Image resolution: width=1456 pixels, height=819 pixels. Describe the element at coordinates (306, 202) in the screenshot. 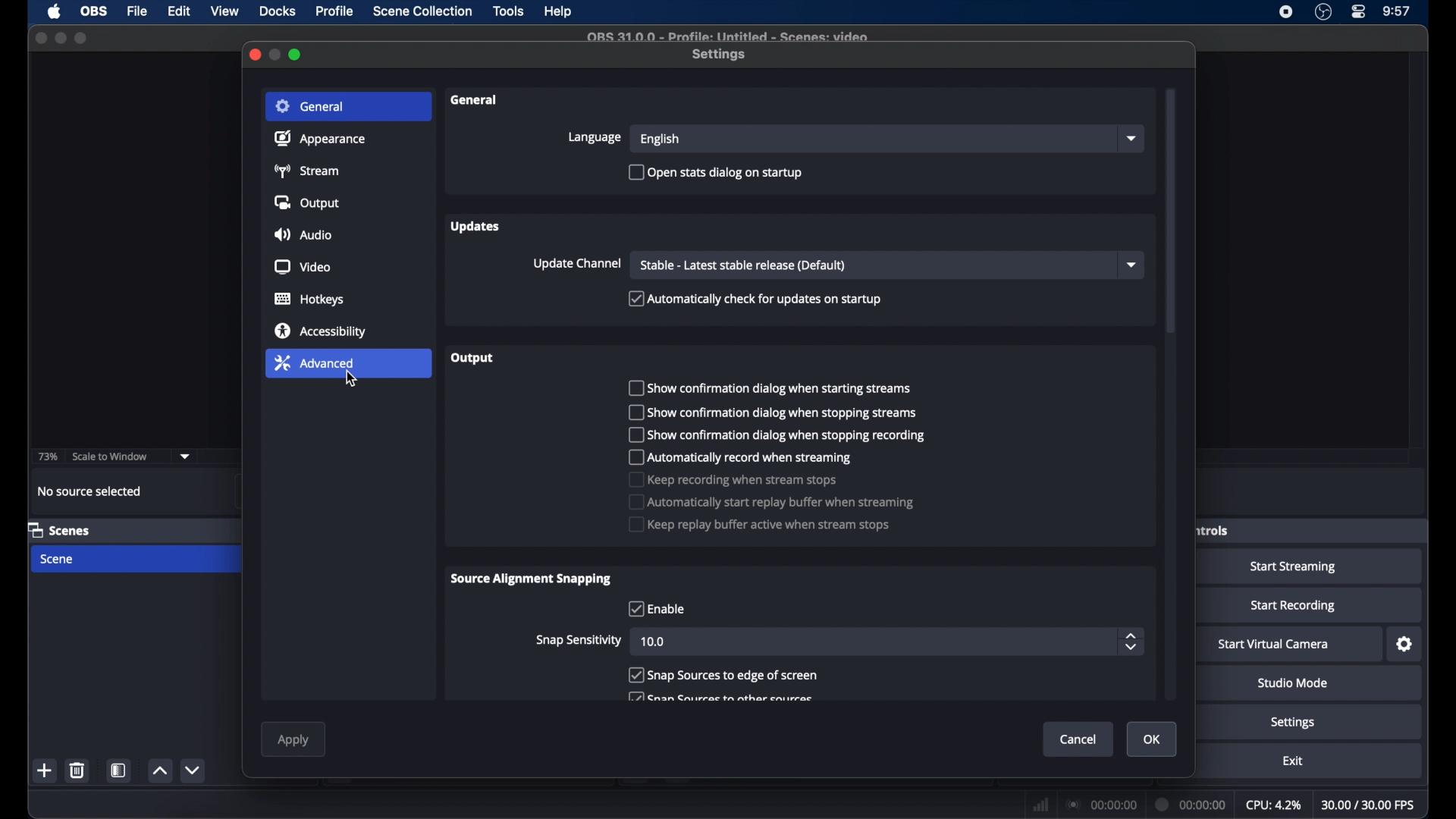

I see `output` at that location.